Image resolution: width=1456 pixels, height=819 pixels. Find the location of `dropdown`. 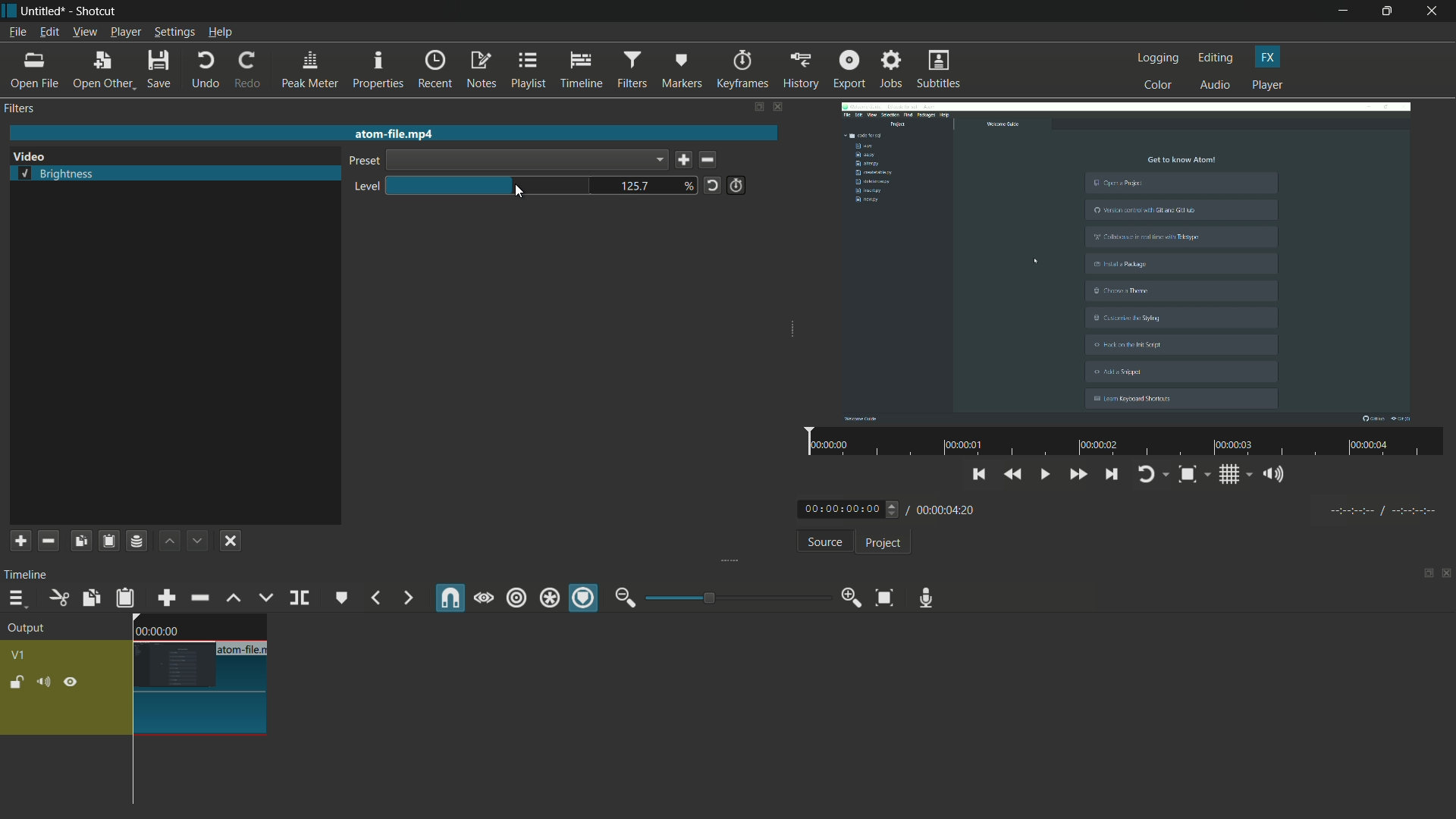

dropdown is located at coordinates (526, 160).